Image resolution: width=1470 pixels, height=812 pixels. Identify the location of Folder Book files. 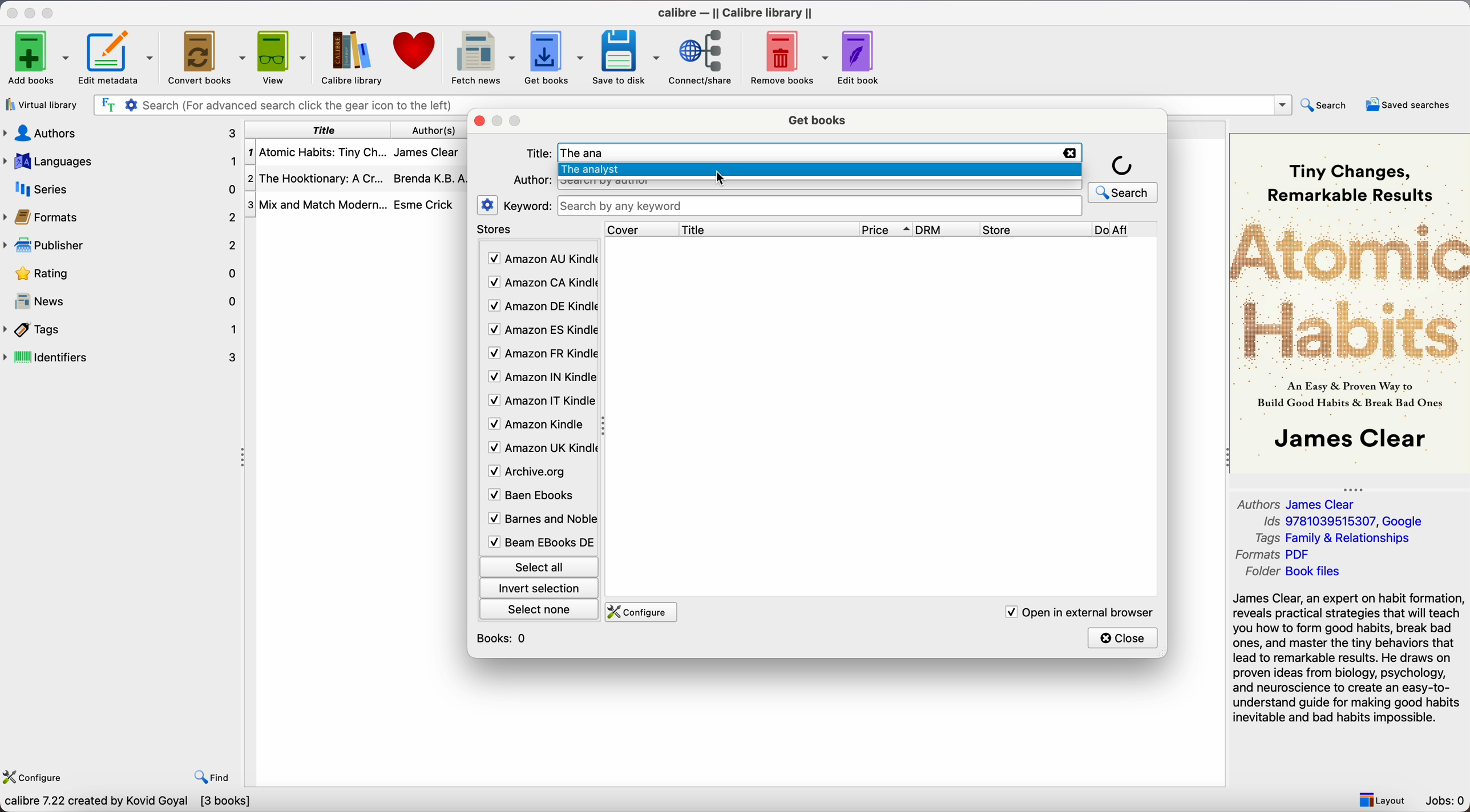
(1289, 573).